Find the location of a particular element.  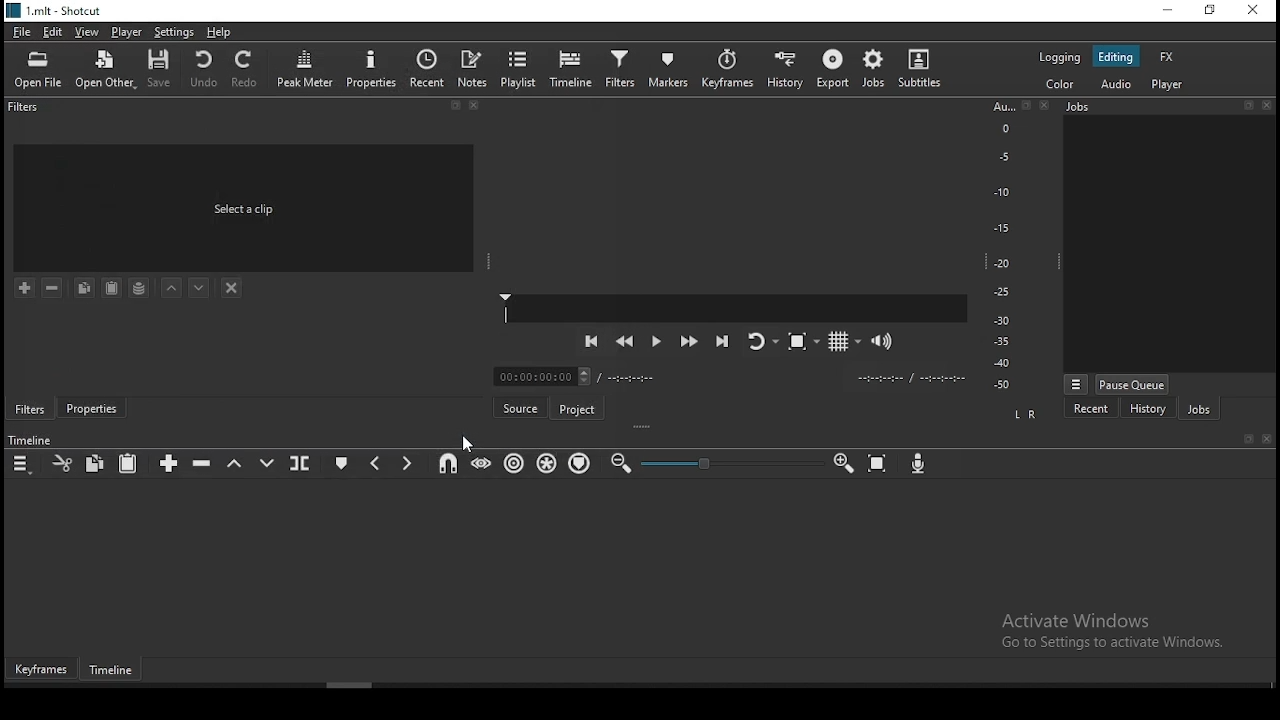

record audio is located at coordinates (919, 465).